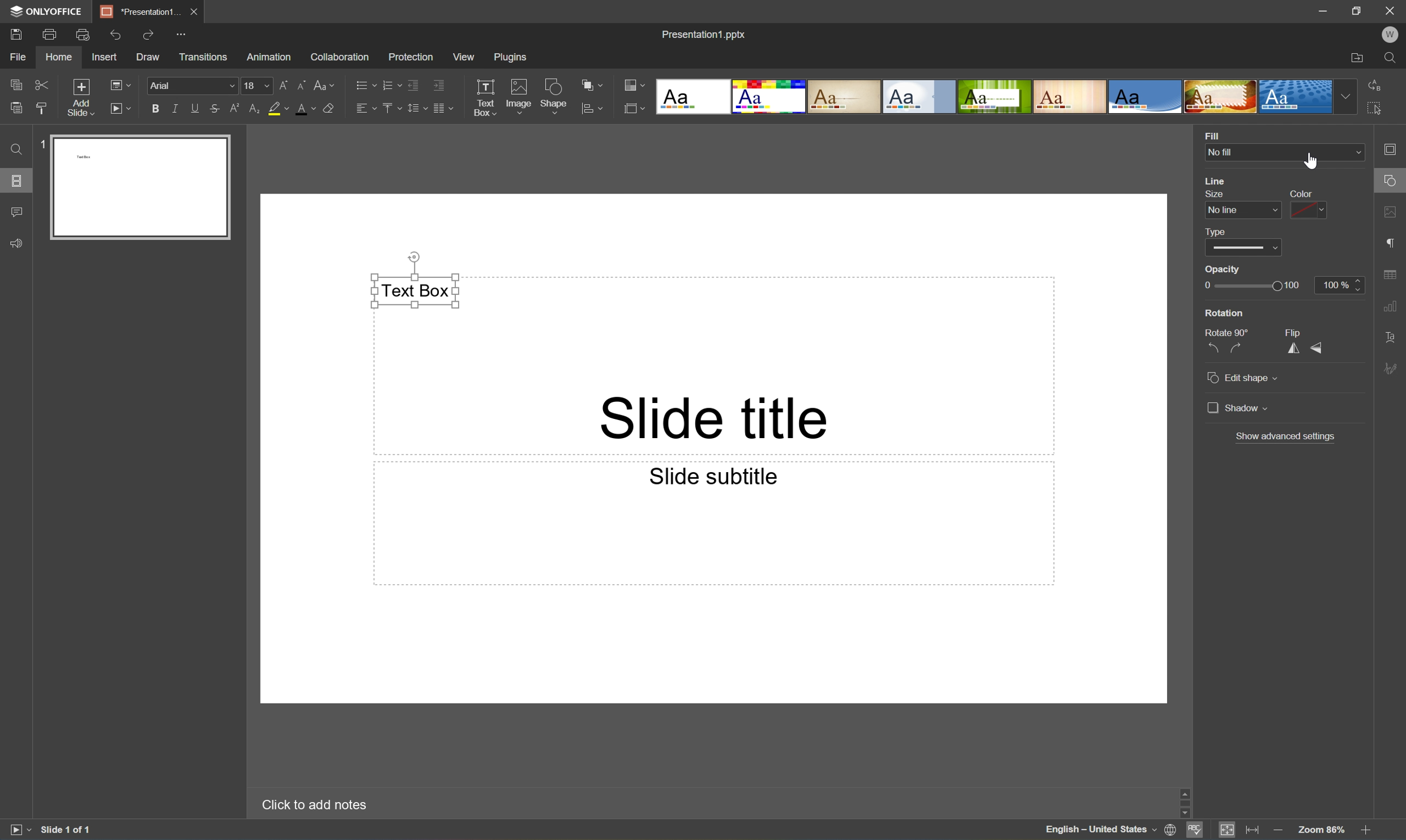 The image size is (1406, 840). What do you see at coordinates (1394, 367) in the screenshot?
I see `Signature settings` at bounding box center [1394, 367].